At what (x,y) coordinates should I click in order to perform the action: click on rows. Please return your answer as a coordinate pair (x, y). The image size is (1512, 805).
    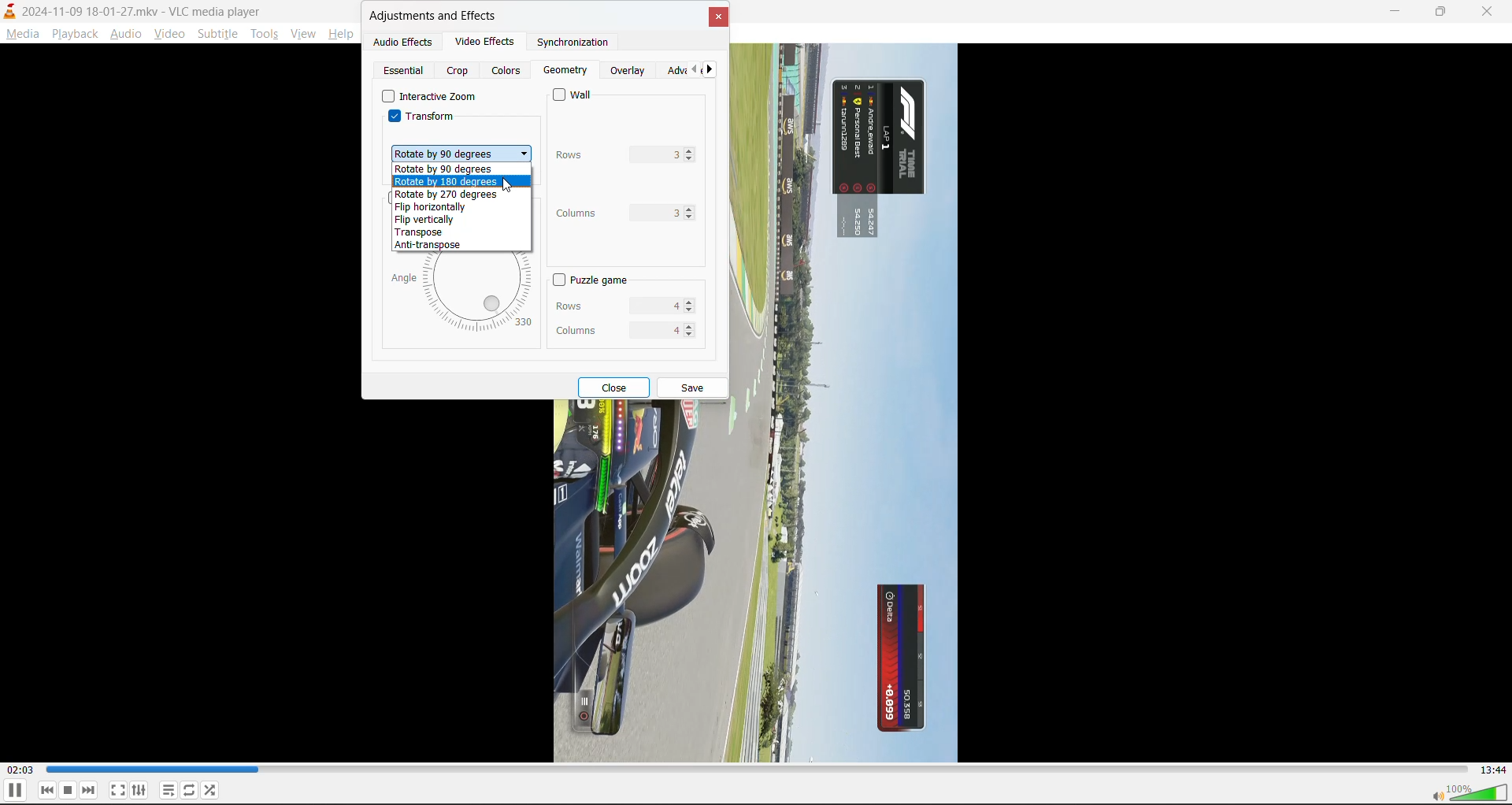
    Looking at the image, I should click on (610, 154).